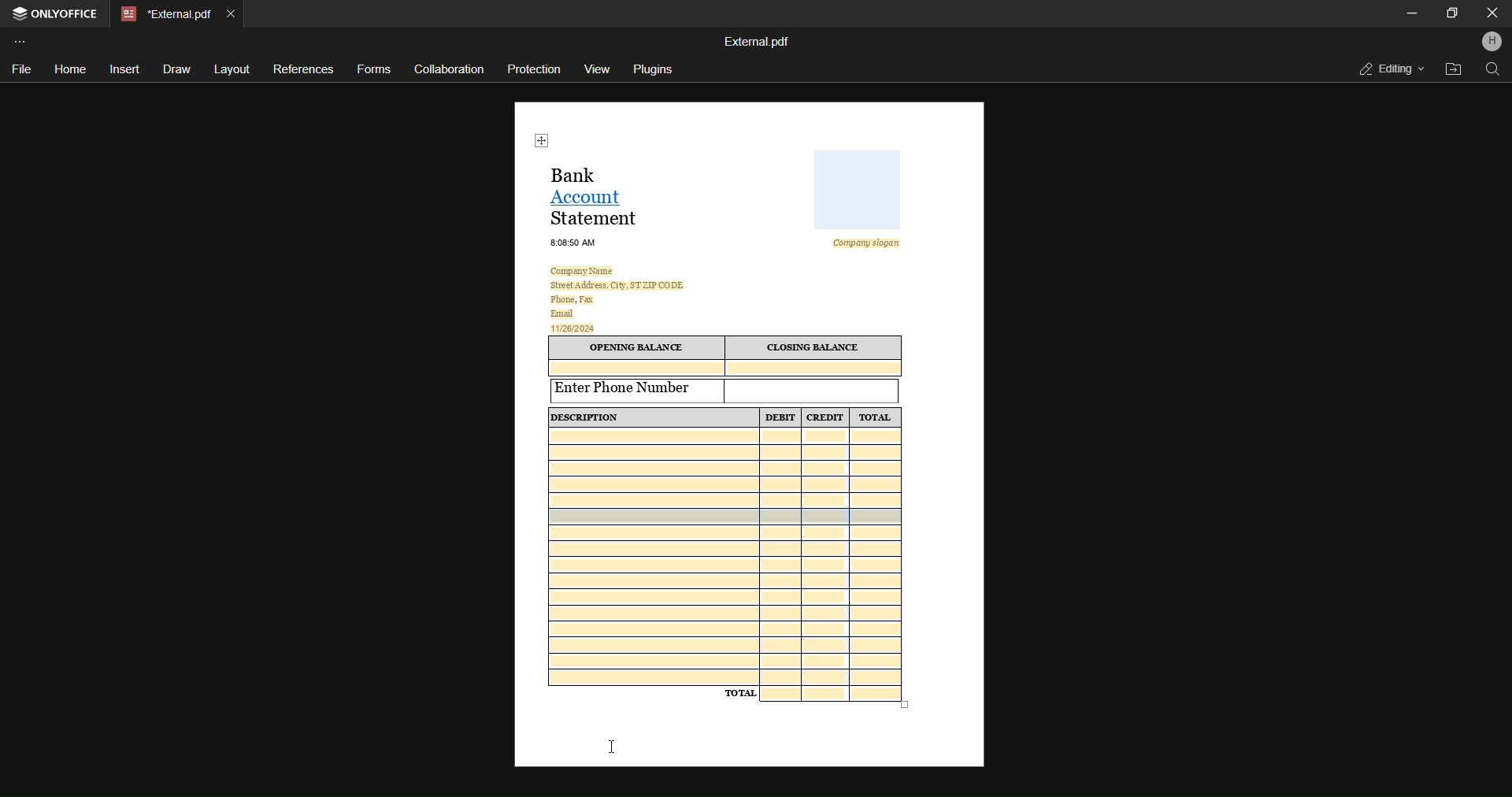 This screenshot has height=797, width=1512. What do you see at coordinates (815, 348) in the screenshot?
I see `CLOSING BALANCE` at bounding box center [815, 348].